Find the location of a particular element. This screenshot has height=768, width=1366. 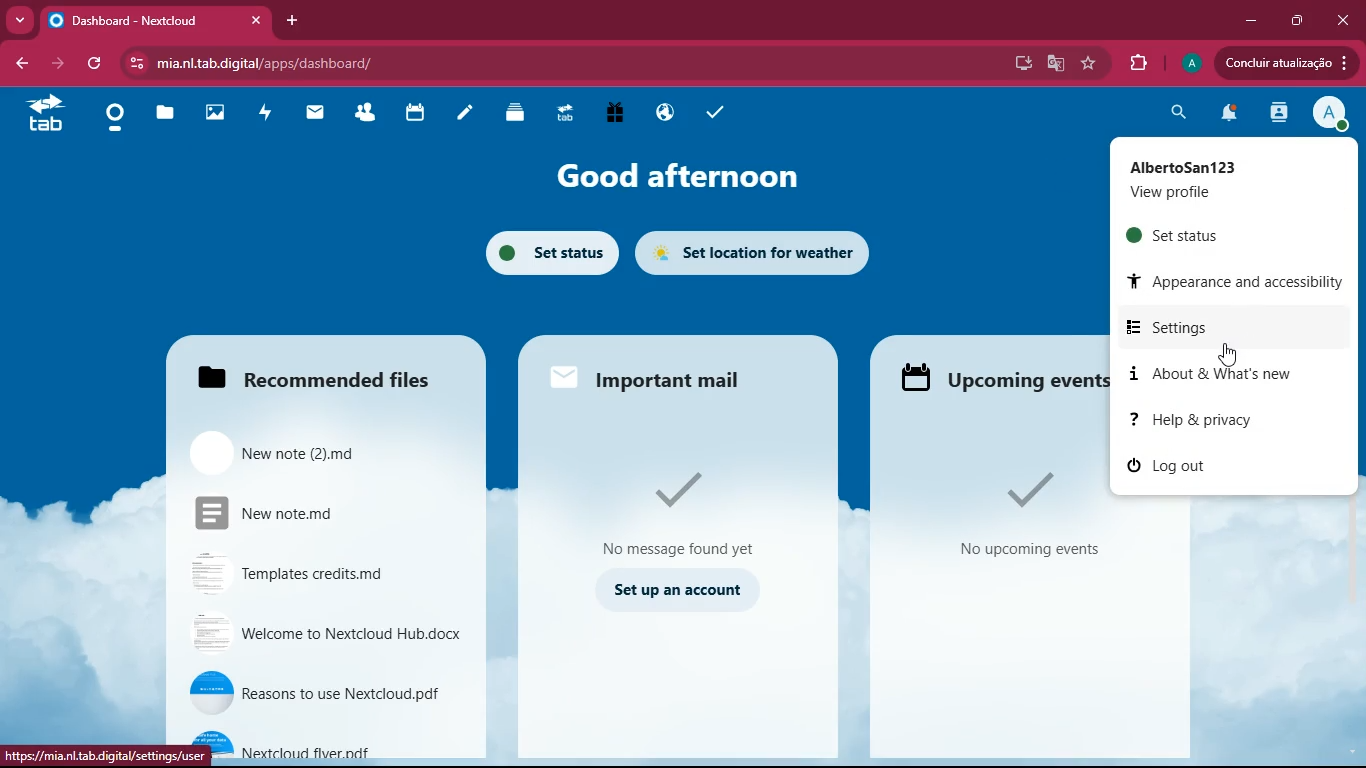

Nextcloud flyer.pdf is located at coordinates (342, 745).